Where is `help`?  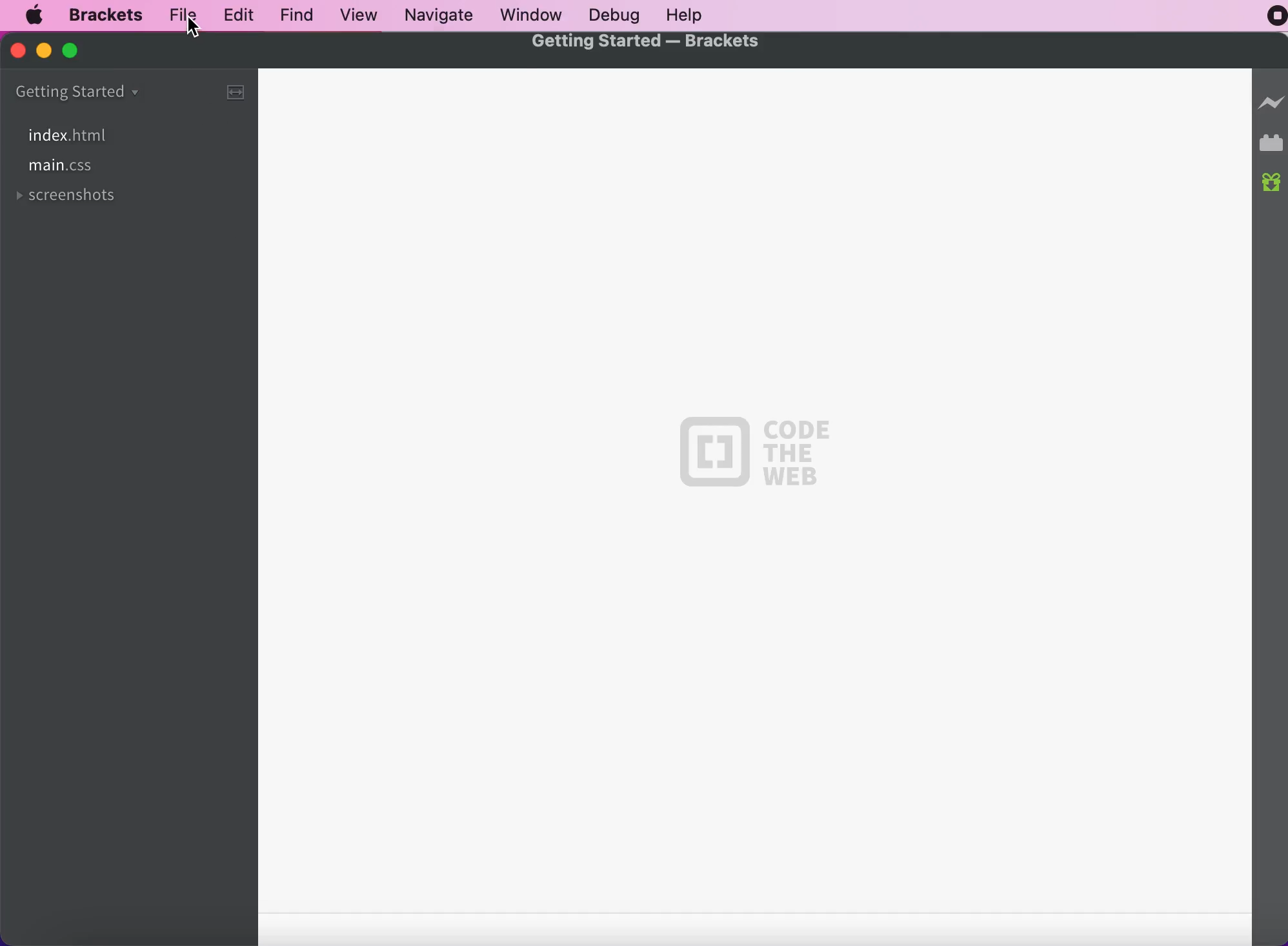 help is located at coordinates (692, 14).